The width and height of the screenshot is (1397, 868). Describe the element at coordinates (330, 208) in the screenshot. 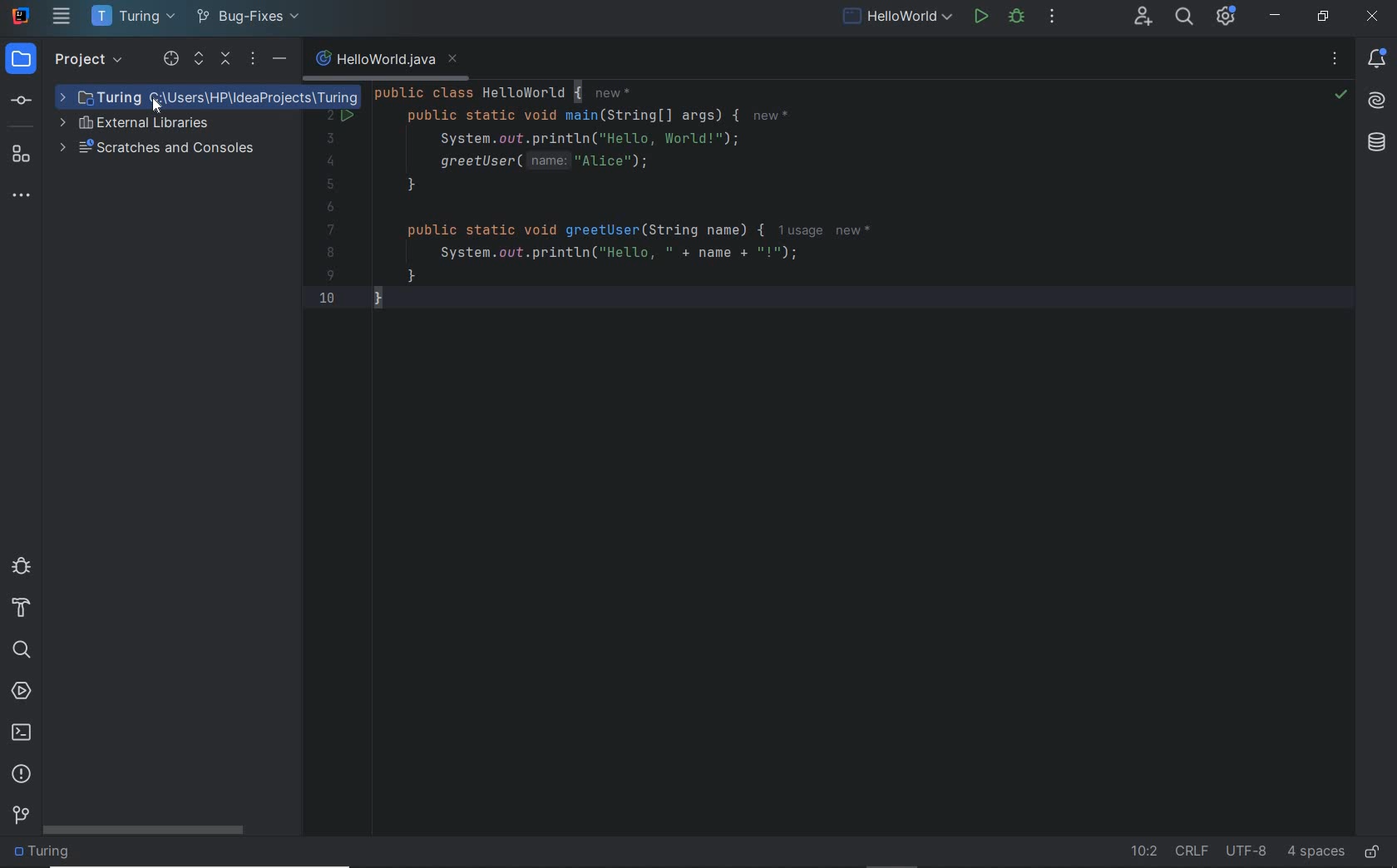

I see `6` at that location.